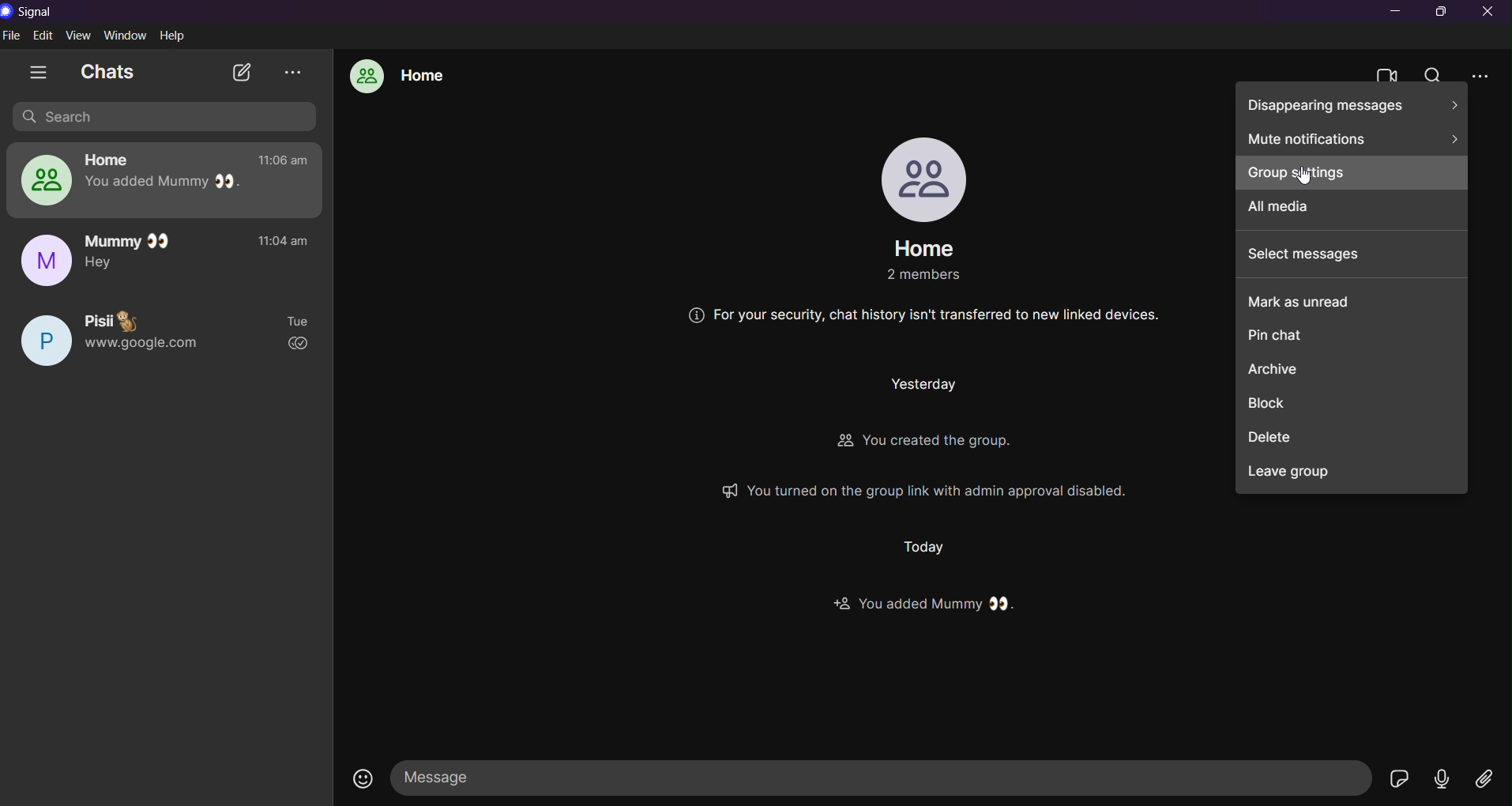  What do you see at coordinates (127, 36) in the screenshot?
I see `window` at bounding box center [127, 36].